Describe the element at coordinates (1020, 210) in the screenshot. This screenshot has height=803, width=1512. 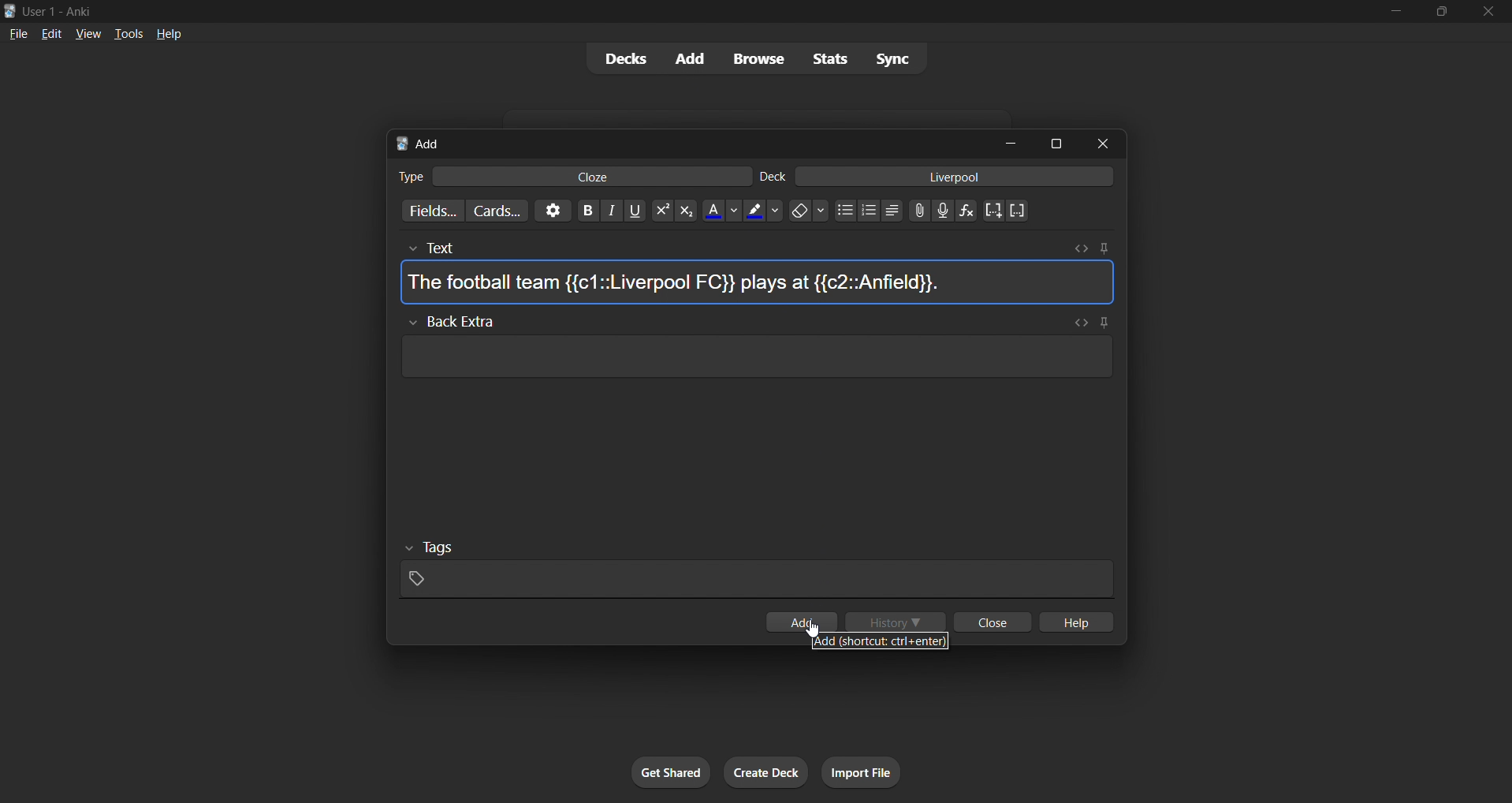
I see `cloze deletion` at that location.